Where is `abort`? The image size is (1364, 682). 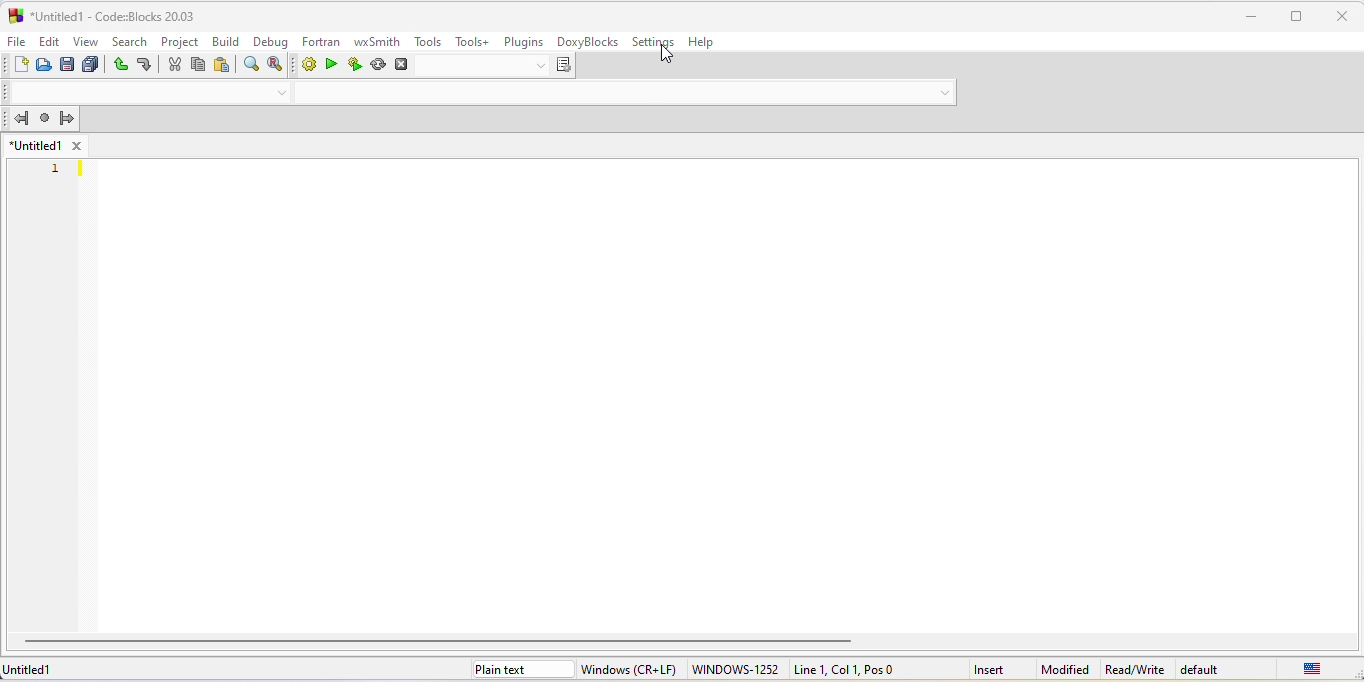 abort is located at coordinates (400, 64).